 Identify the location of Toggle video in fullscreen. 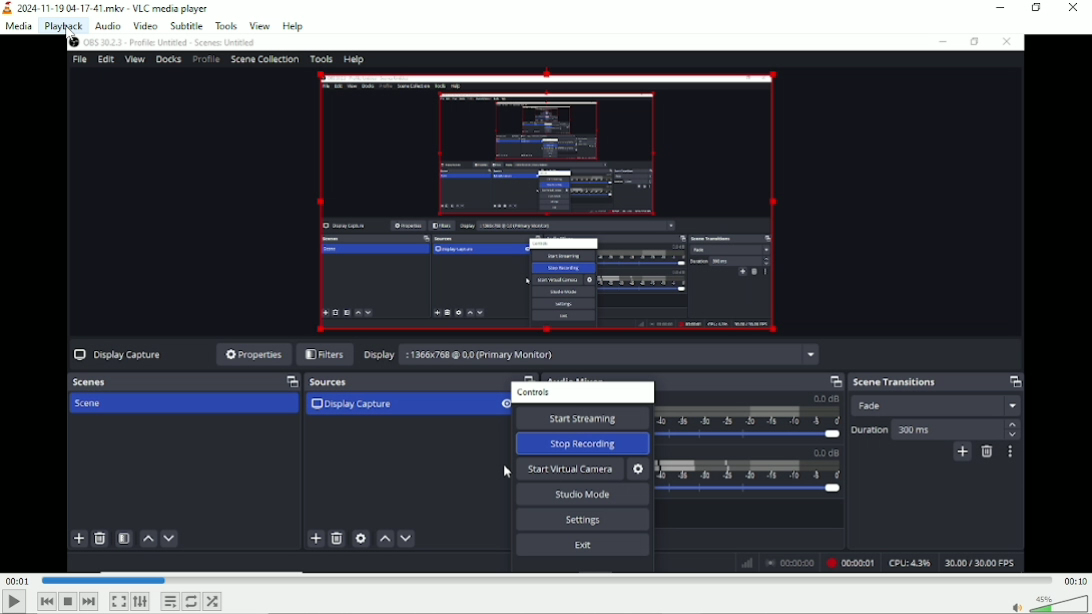
(119, 602).